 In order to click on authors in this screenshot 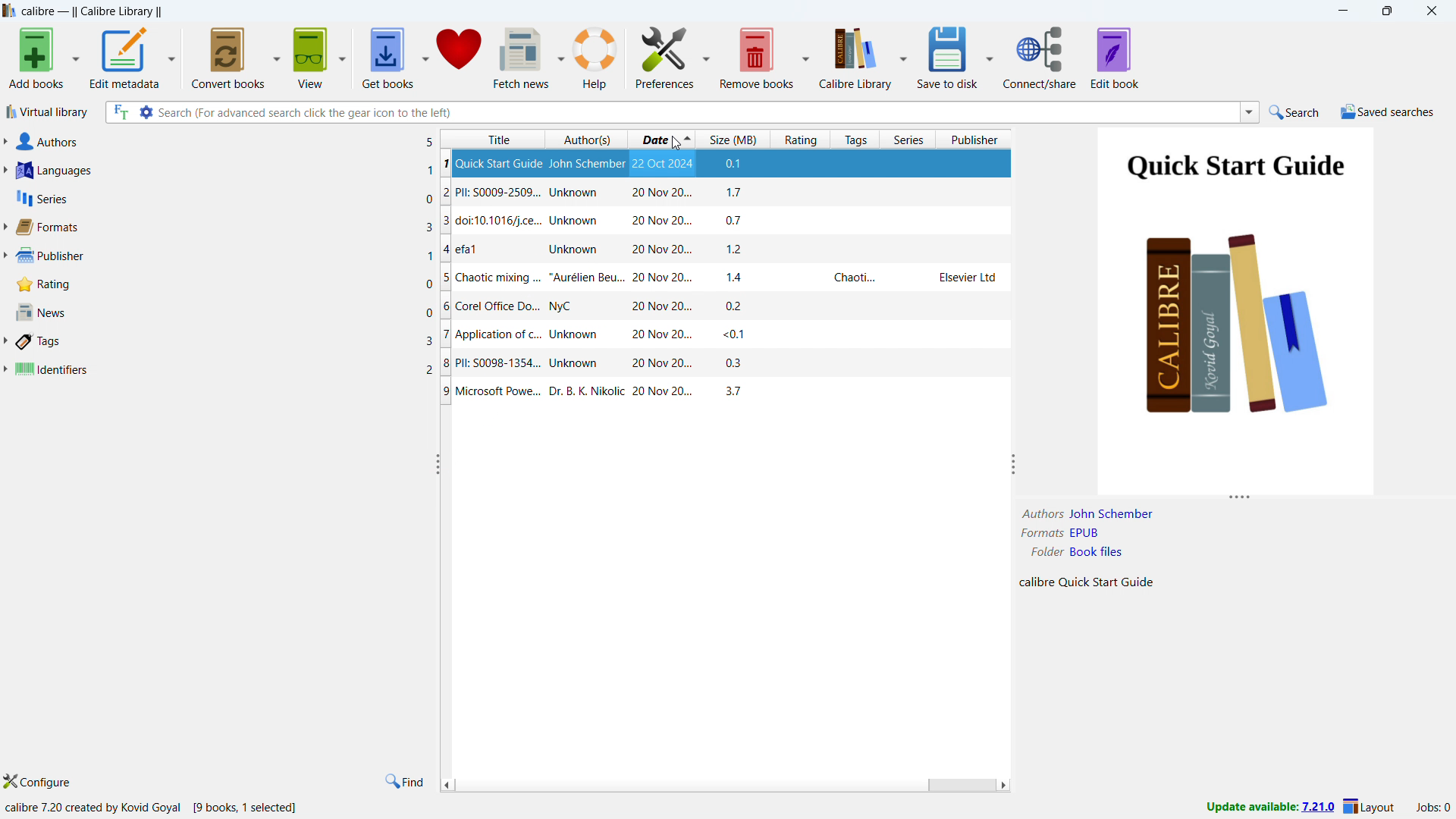, I will do `click(576, 141)`.